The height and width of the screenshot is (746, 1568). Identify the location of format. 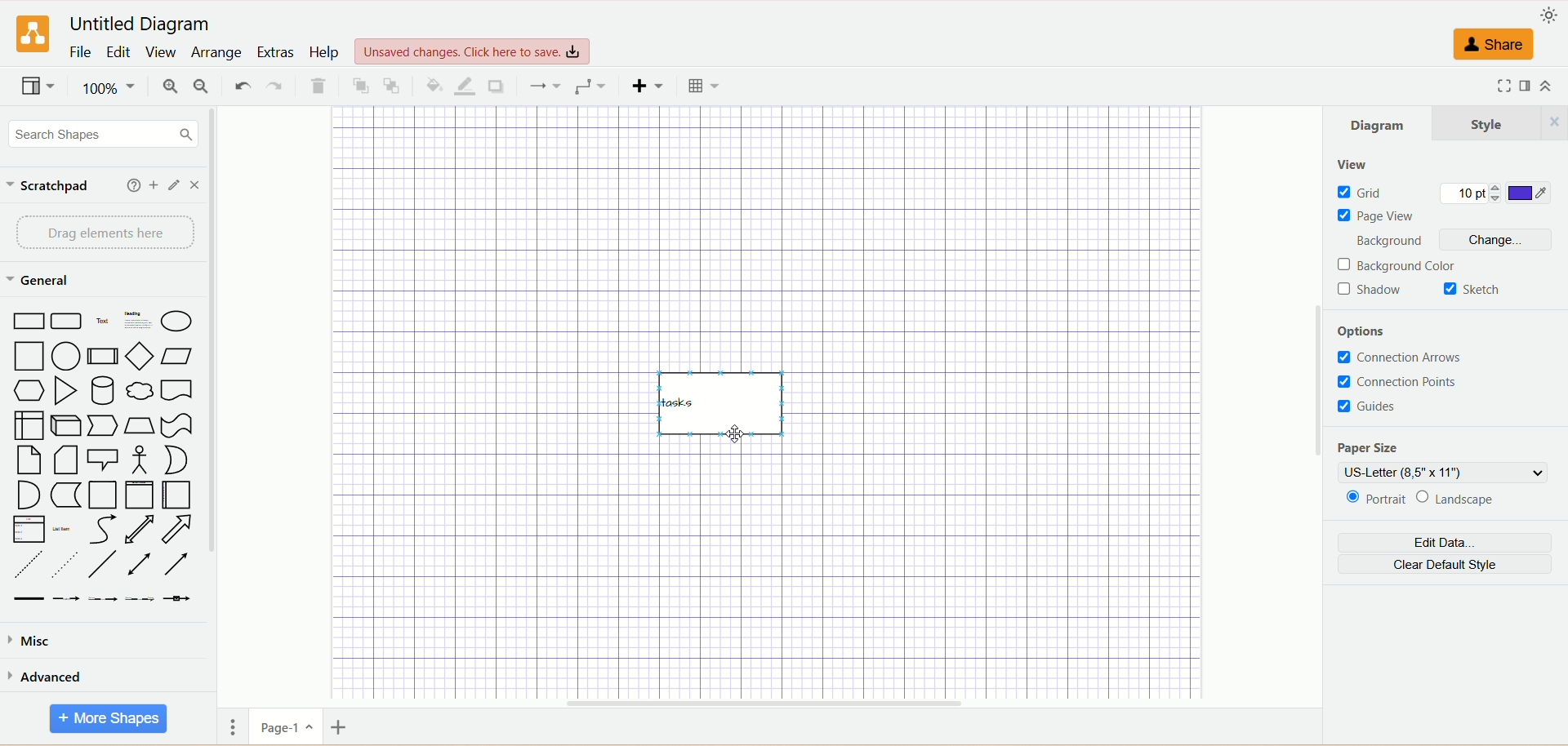
(1523, 86).